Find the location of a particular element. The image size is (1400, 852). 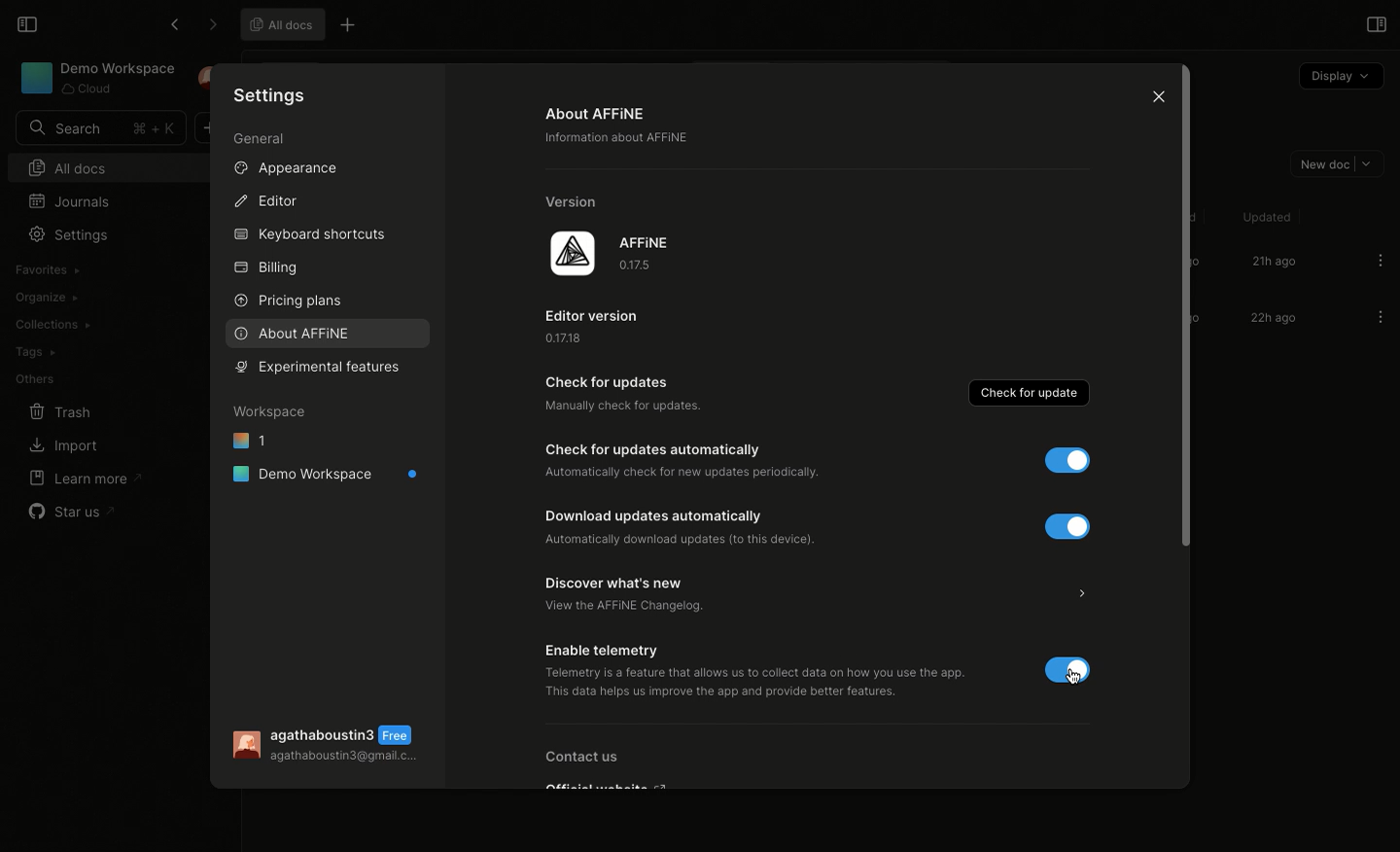

Options is located at coordinates (1380, 318).